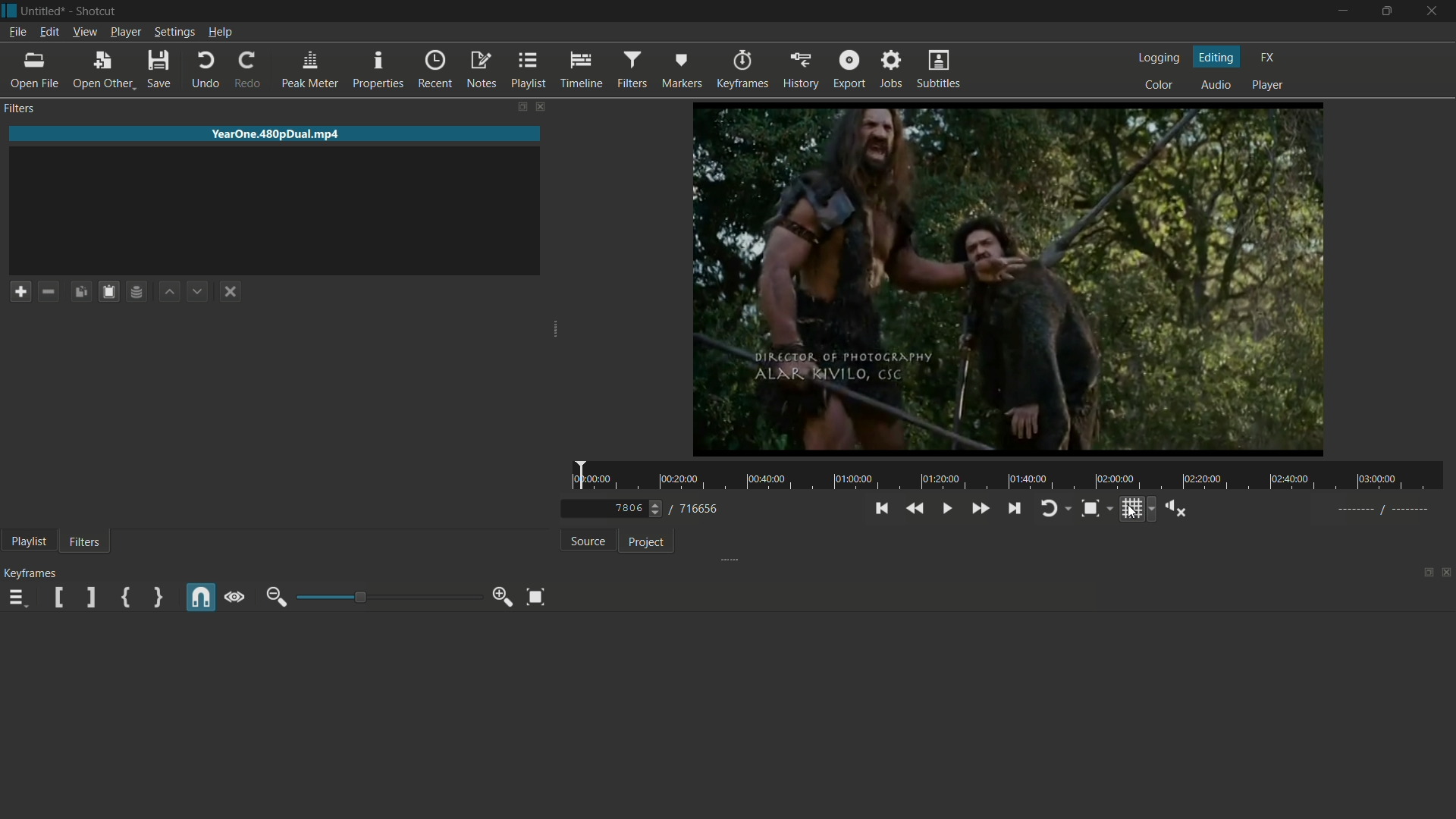 Image resolution: width=1456 pixels, height=819 pixels. What do you see at coordinates (206, 69) in the screenshot?
I see `undo` at bounding box center [206, 69].